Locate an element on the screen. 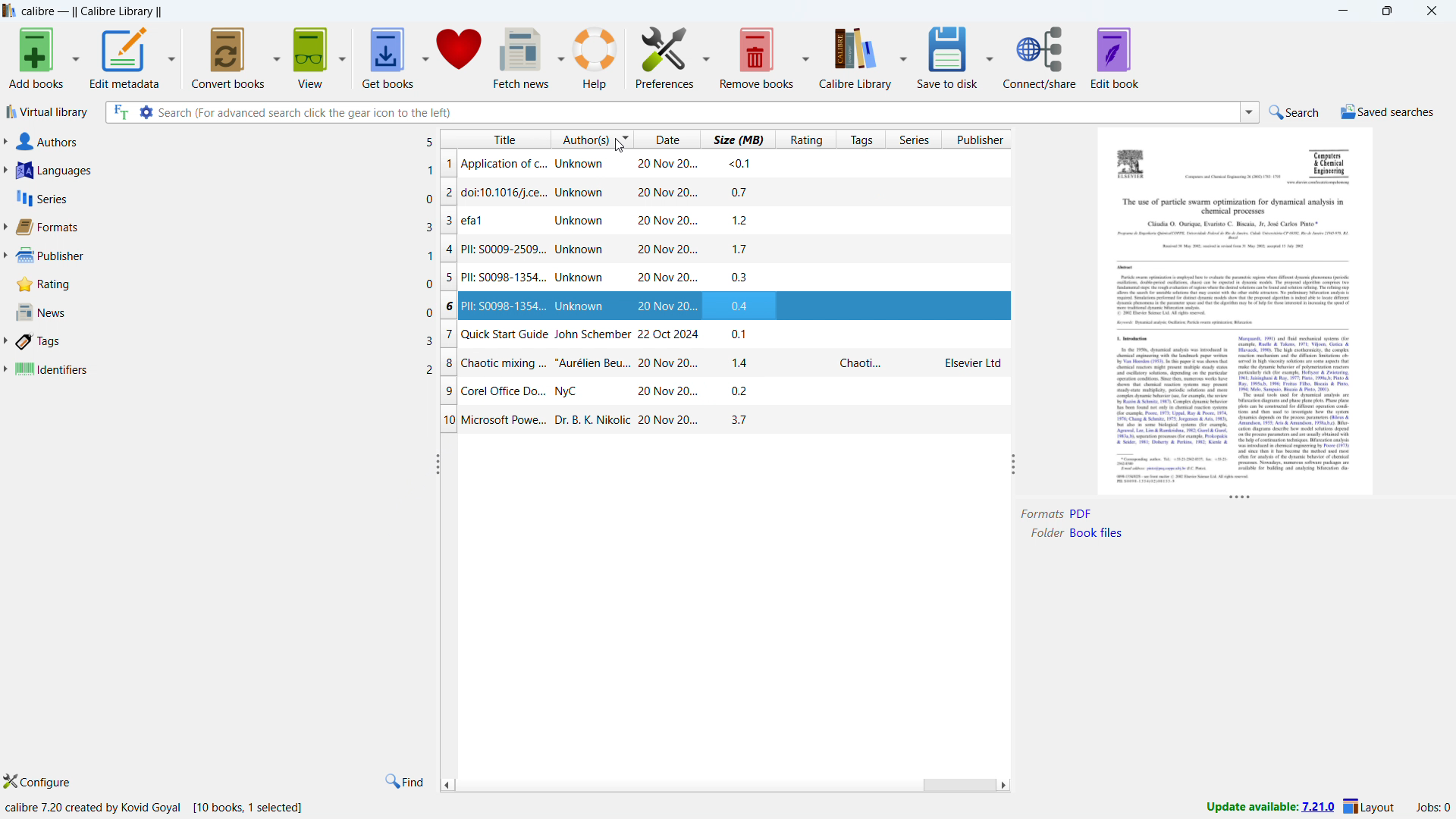  identifiers is located at coordinates (224, 371).